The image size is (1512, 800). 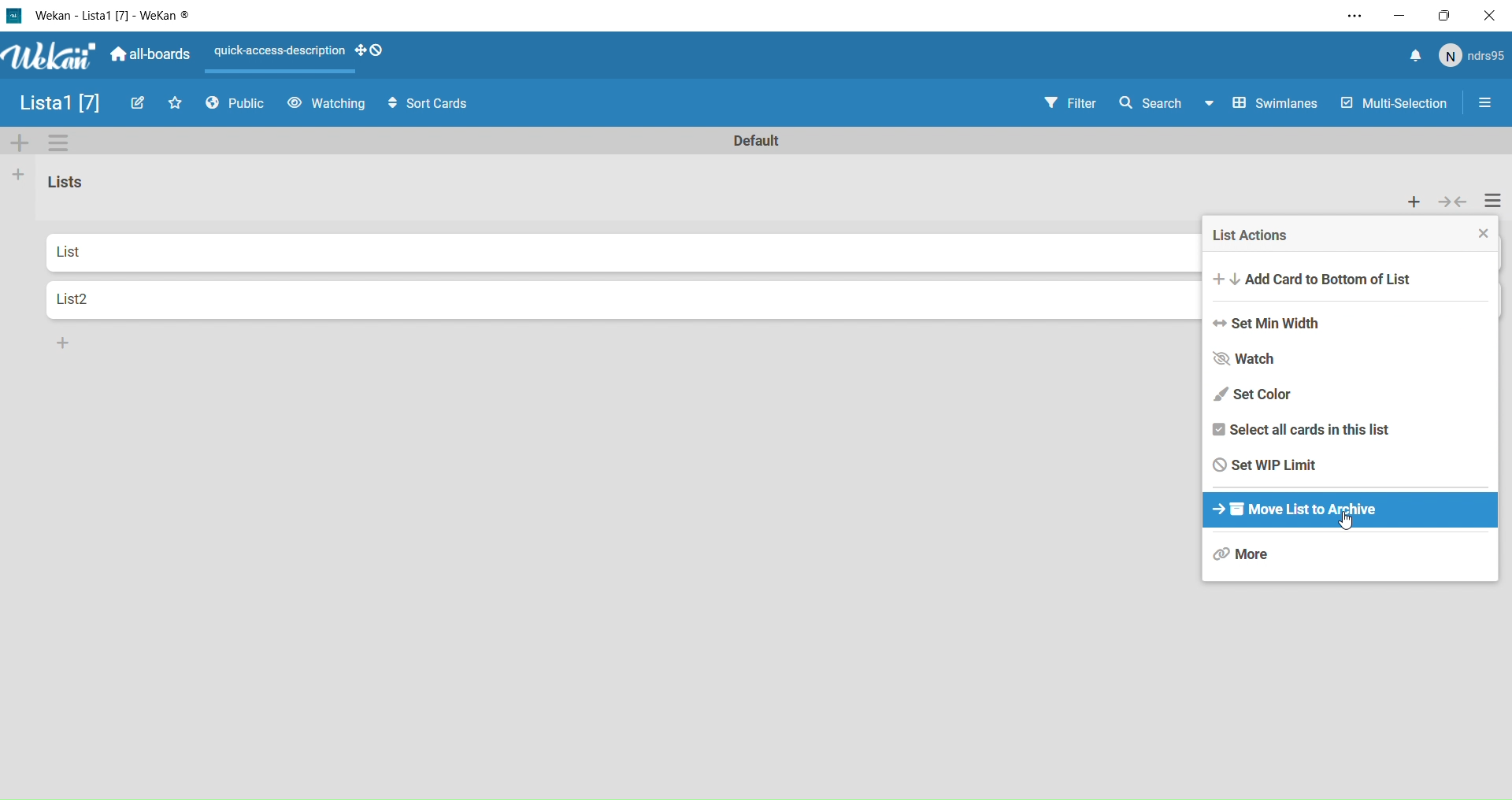 I want to click on Close, so click(x=1492, y=15).